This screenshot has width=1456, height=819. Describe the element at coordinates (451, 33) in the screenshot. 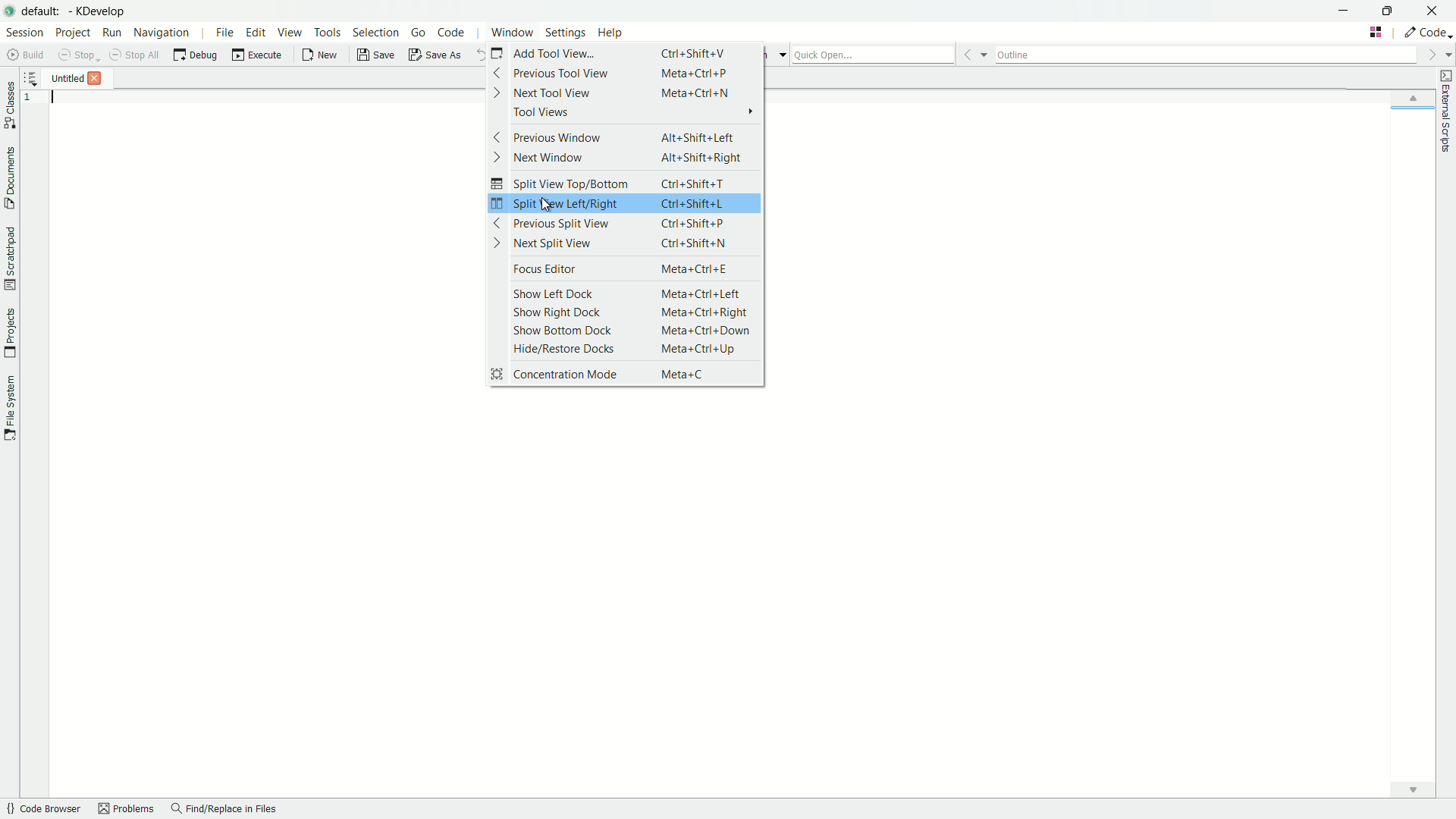

I see `code menu` at that location.